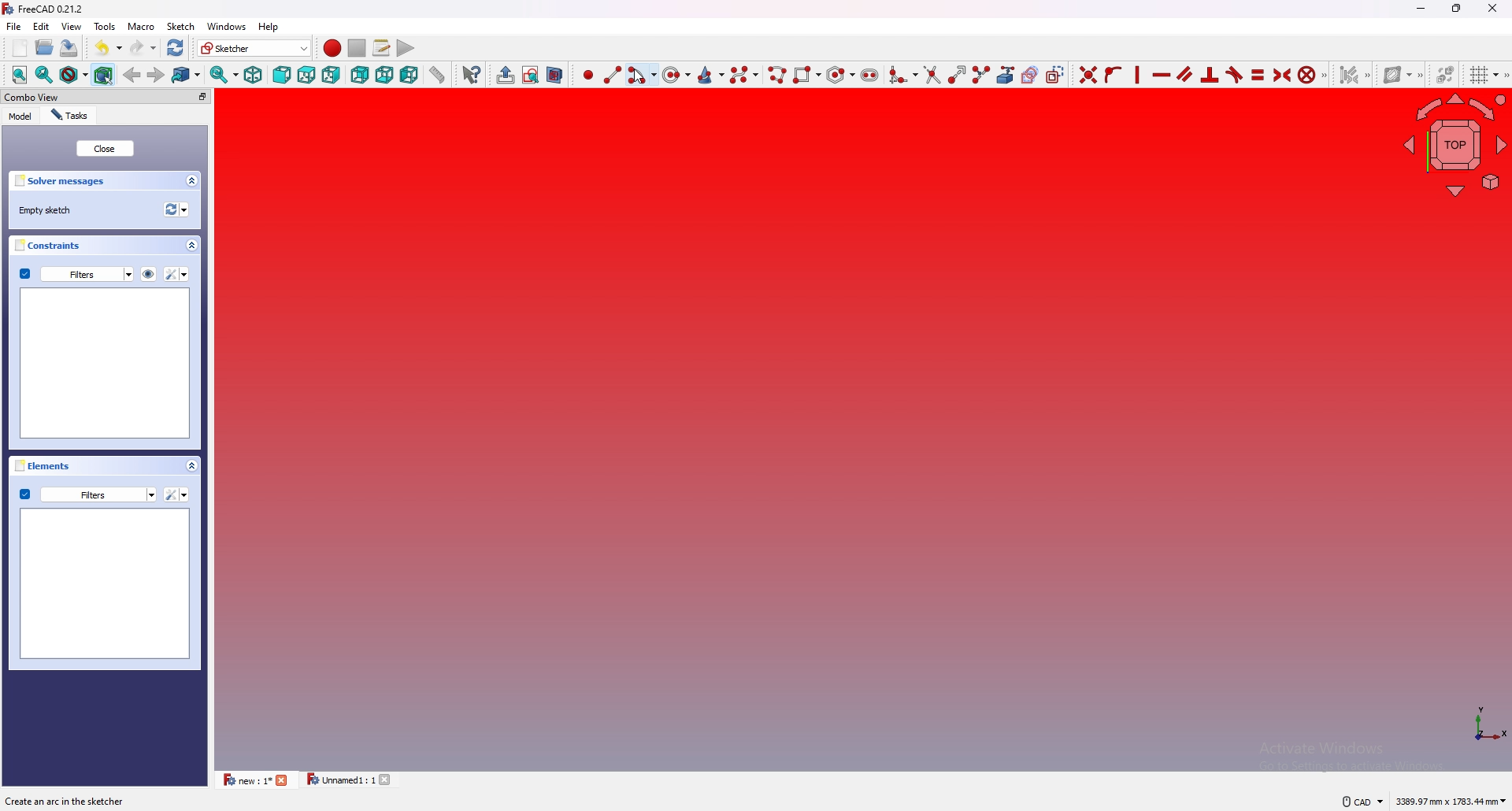  Describe the element at coordinates (406, 48) in the screenshot. I see `execute macro` at that location.